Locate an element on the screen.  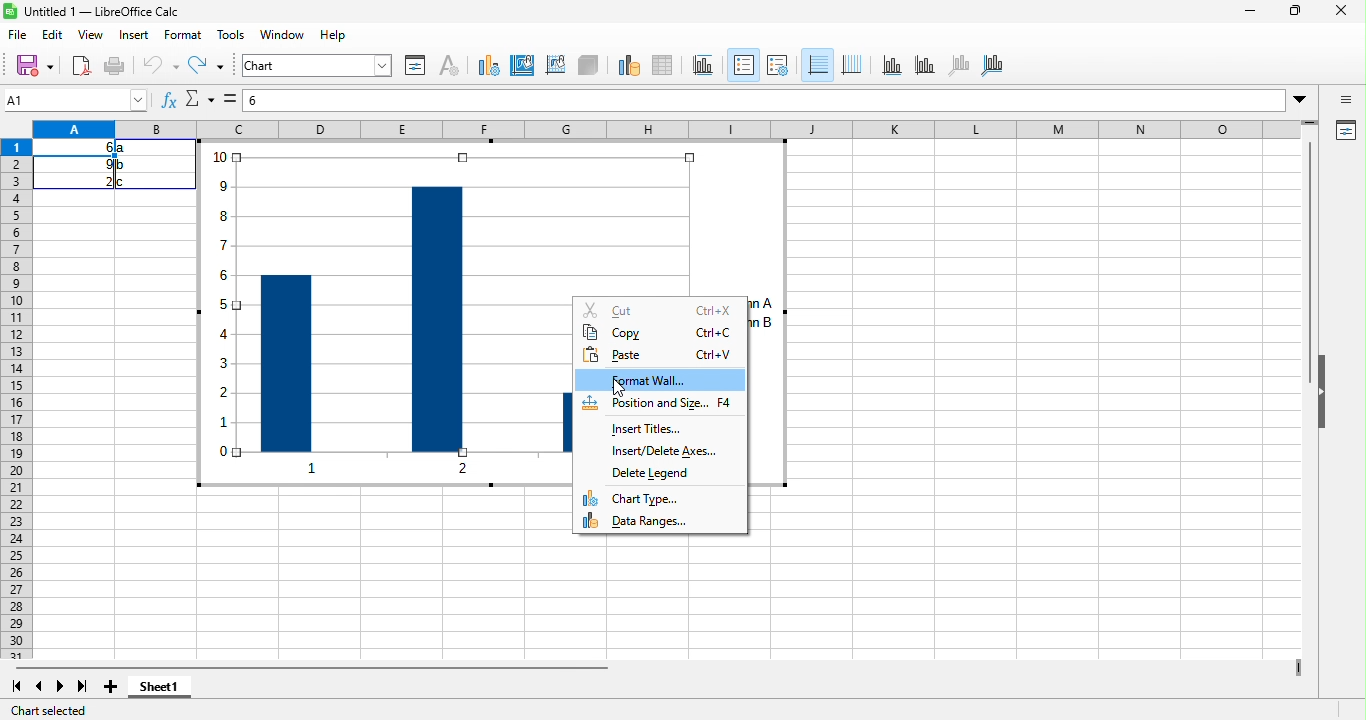
edit is located at coordinates (55, 37).